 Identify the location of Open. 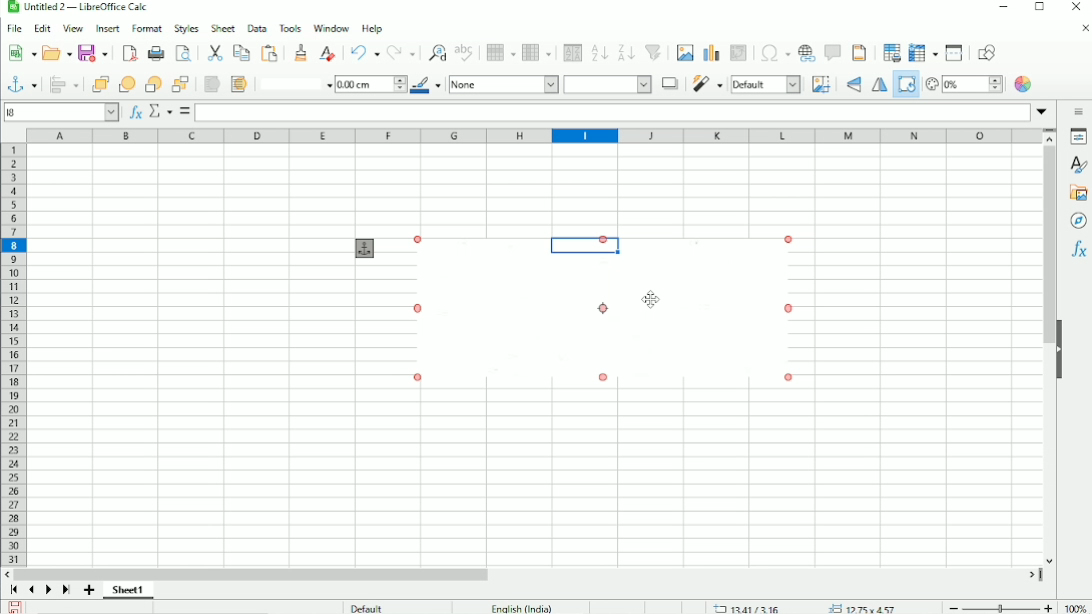
(57, 53).